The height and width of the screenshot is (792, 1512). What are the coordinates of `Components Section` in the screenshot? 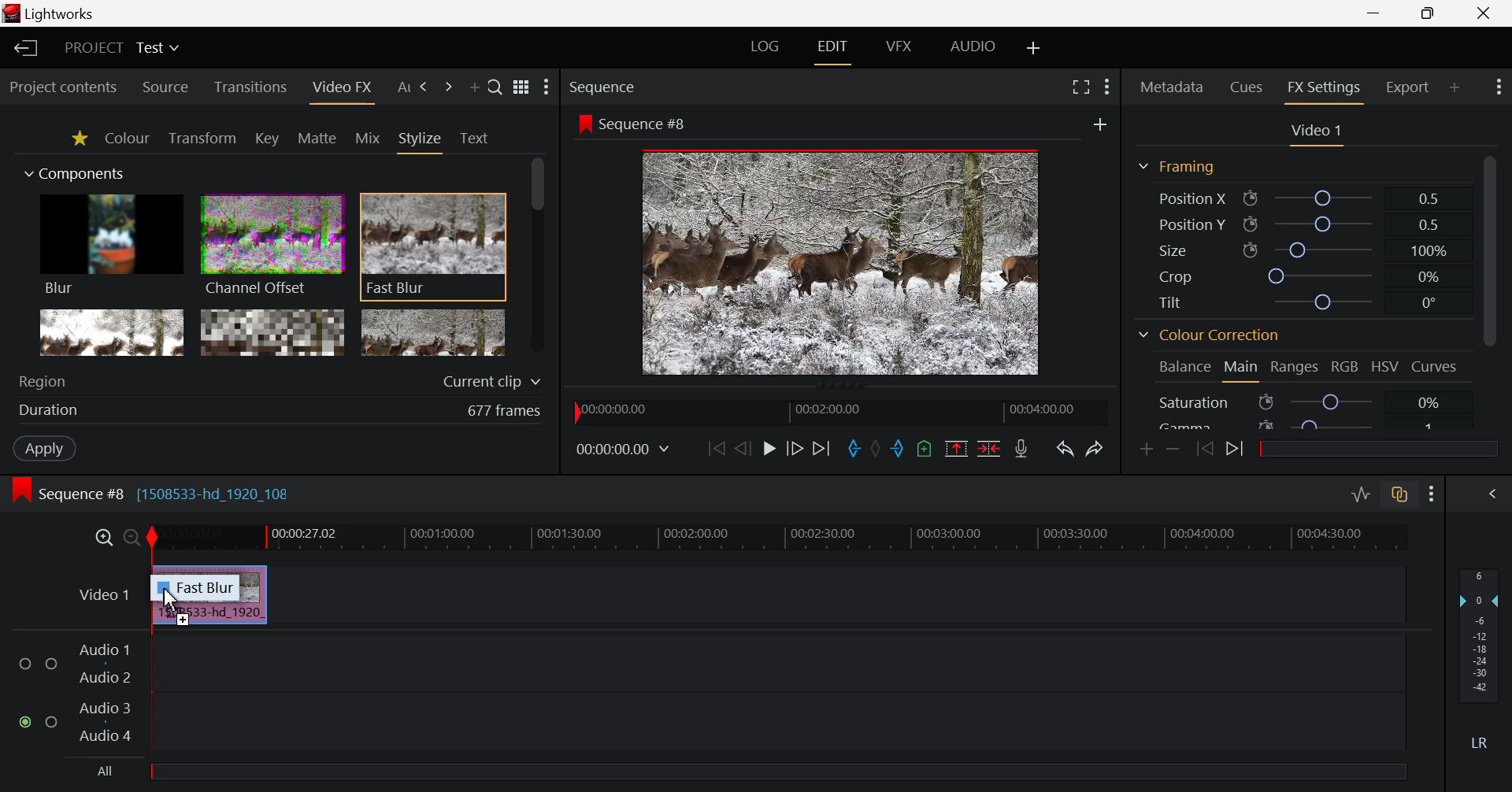 It's located at (80, 172).